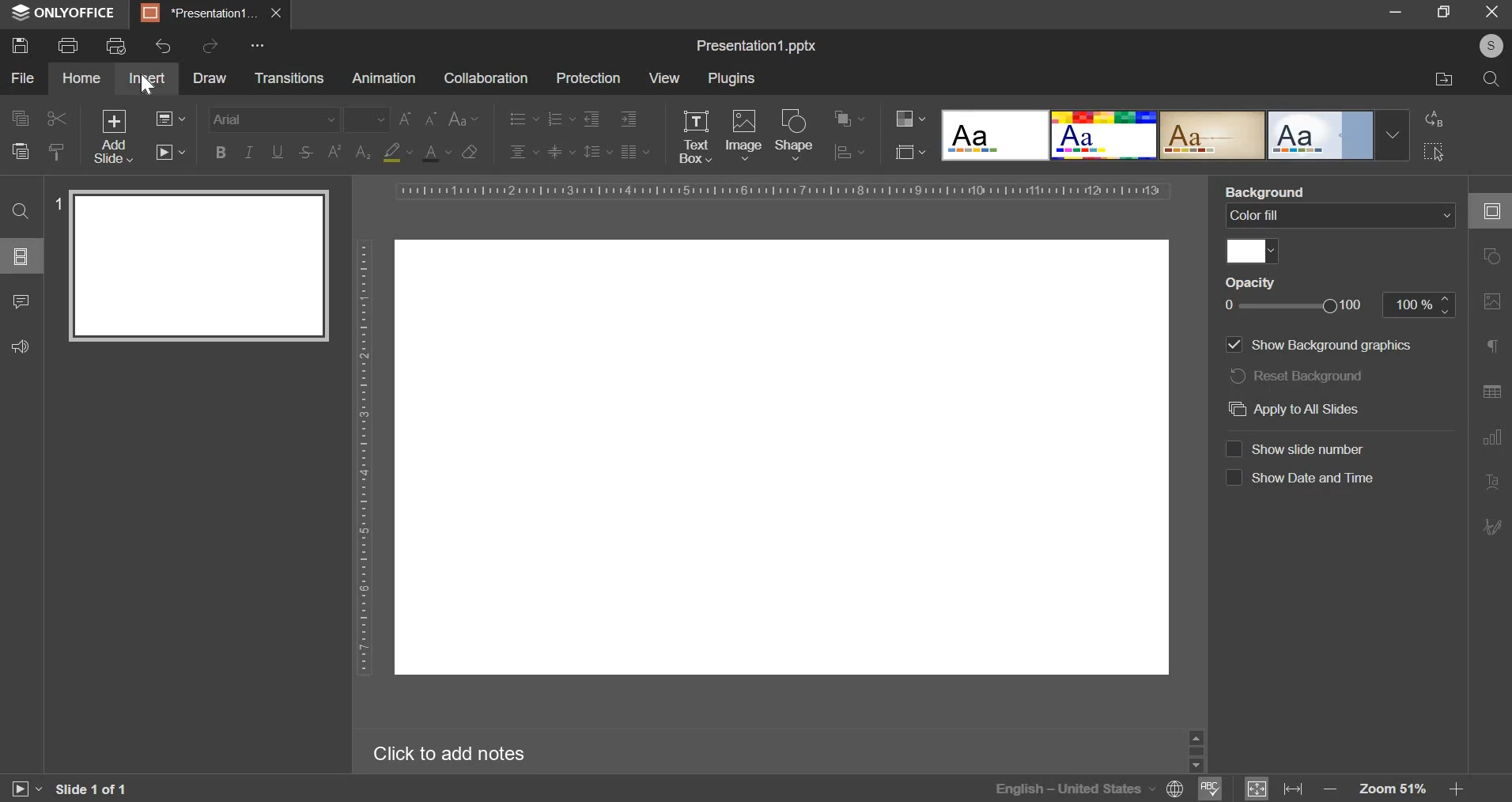 The width and height of the screenshot is (1512, 802). What do you see at coordinates (1297, 408) in the screenshot?
I see `apply to all slides` at bounding box center [1297, 408].